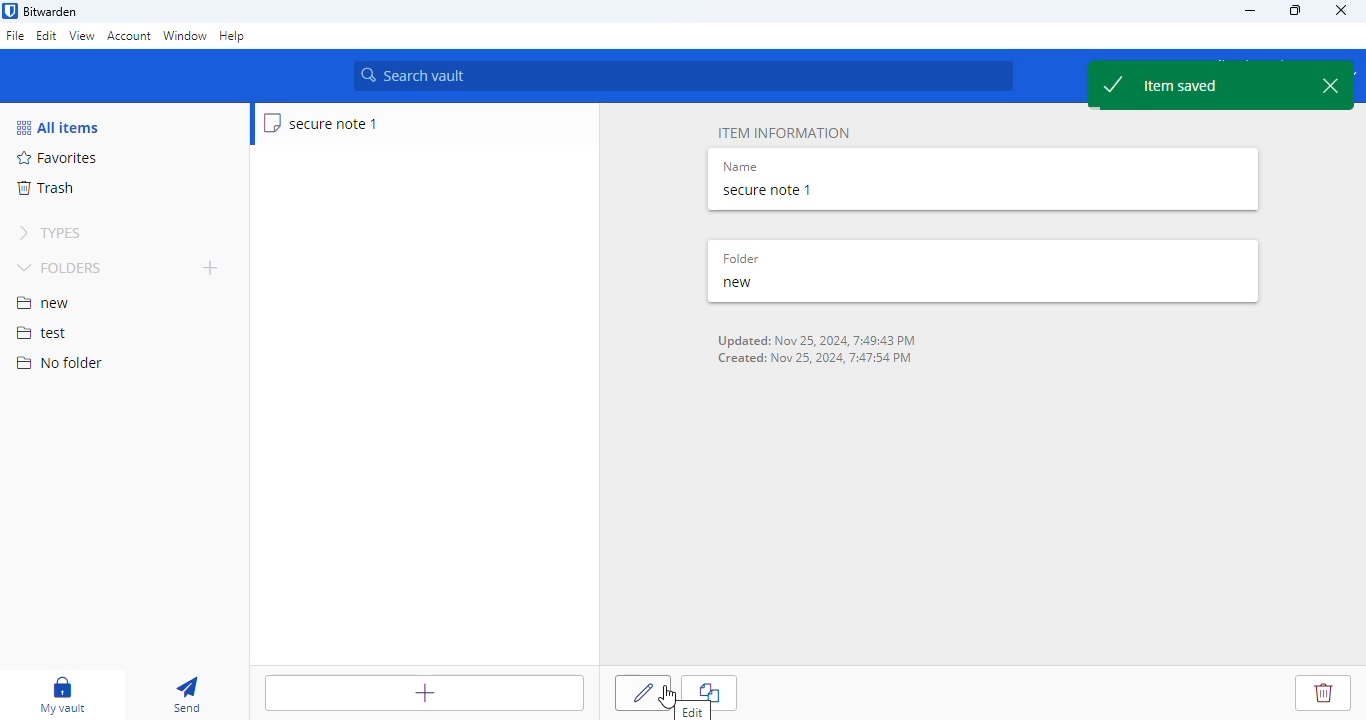 This screenshot has height=720, width=1366. What do you see at coordinates (129, 36) in the screenshot?
I see `account` at bounding box center [129, 36].